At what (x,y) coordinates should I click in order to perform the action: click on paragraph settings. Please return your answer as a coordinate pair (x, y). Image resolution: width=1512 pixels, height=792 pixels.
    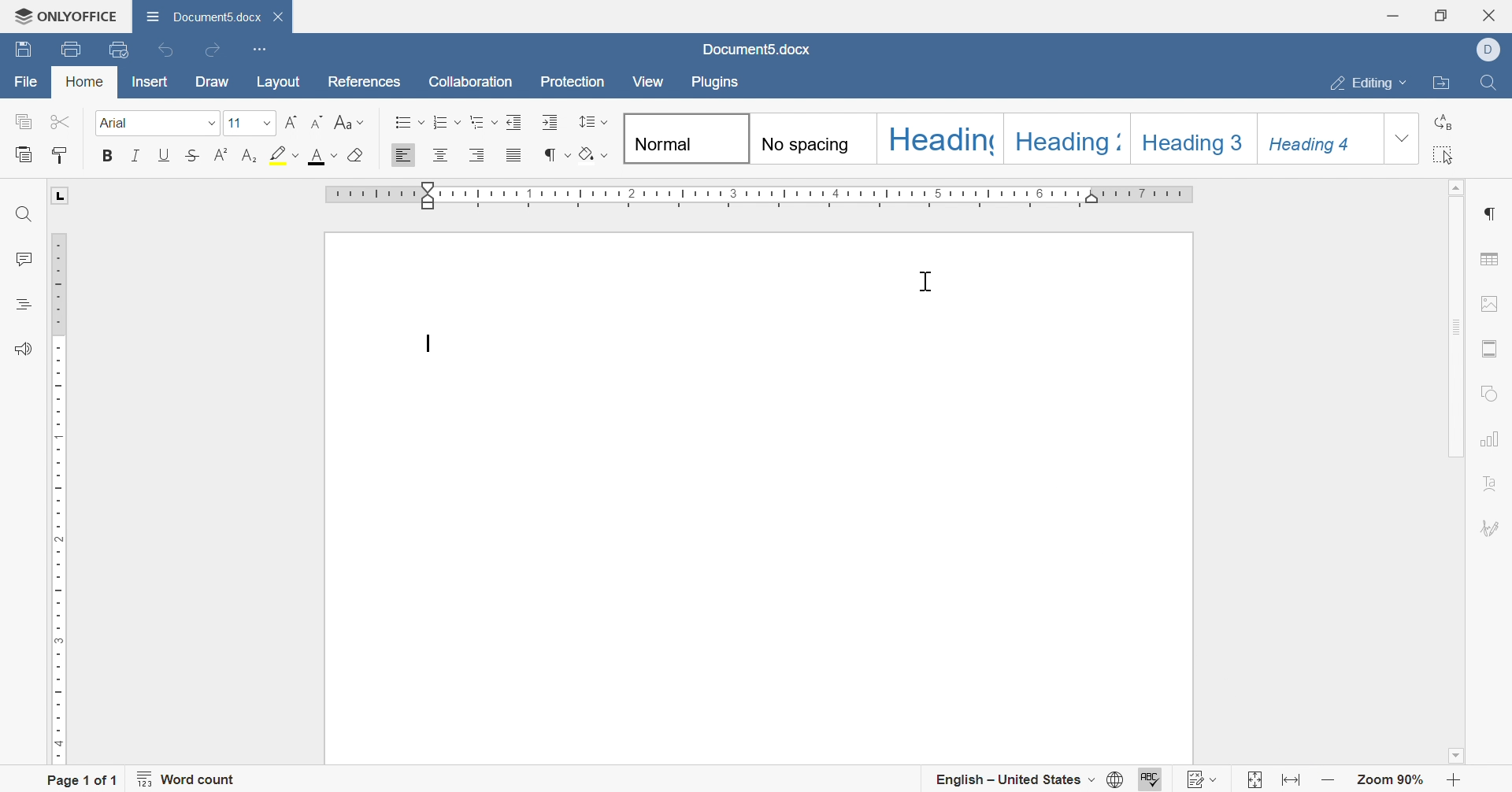
    Looking at the image, I should click on (1494, 209).